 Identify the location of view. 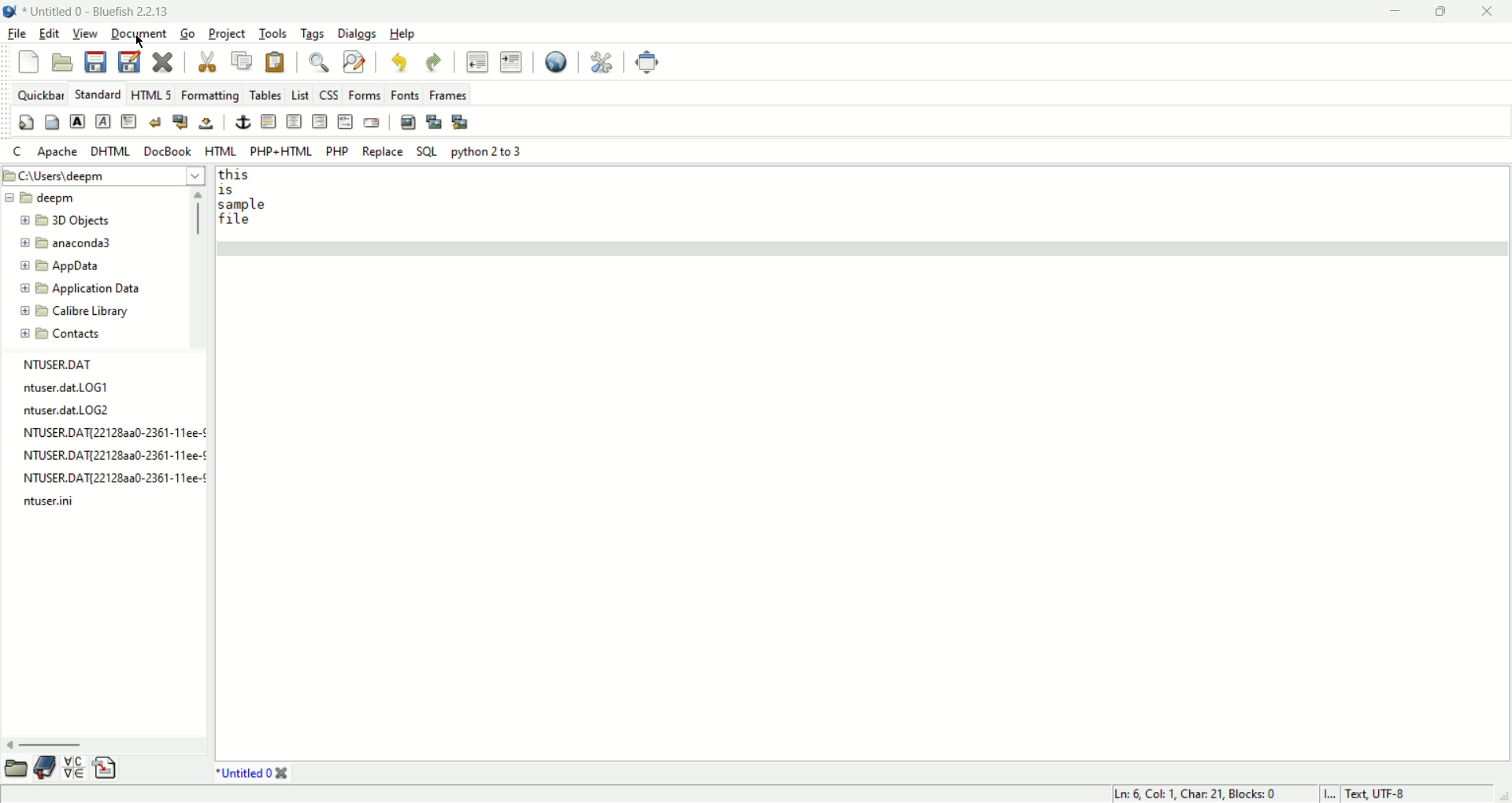
(86, 32).